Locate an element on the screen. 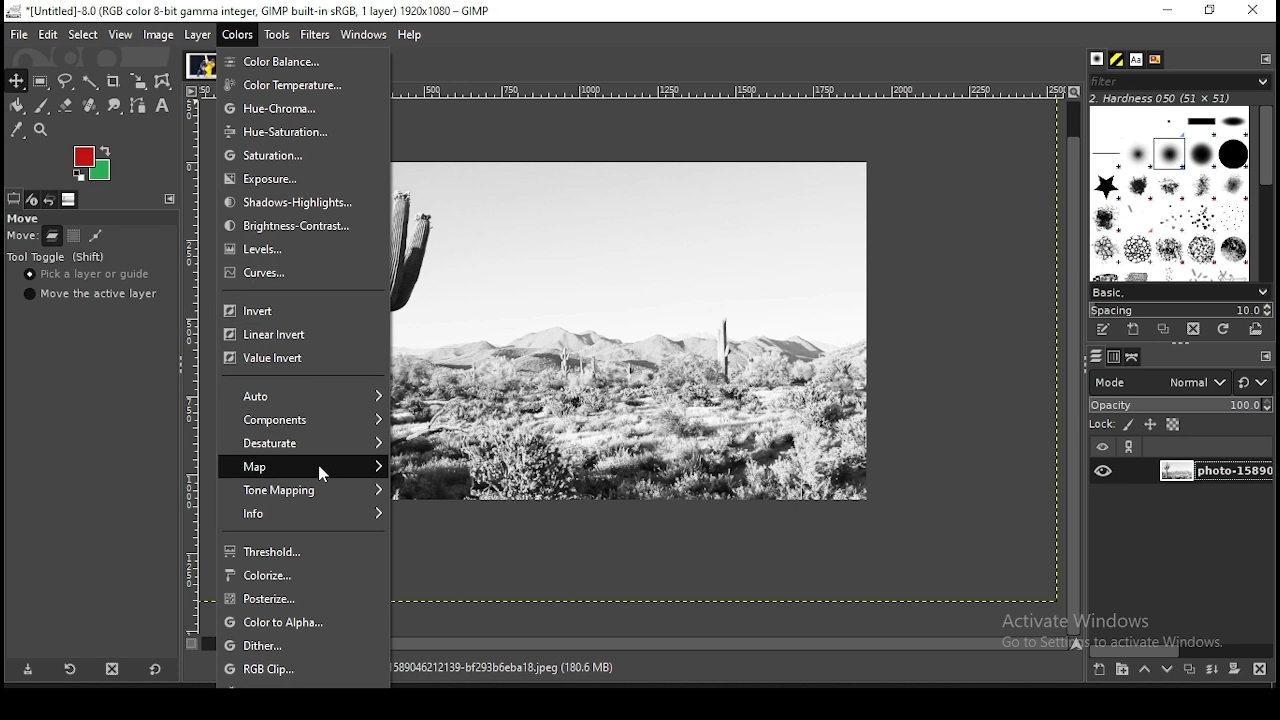  edit is located at coordinates (50, 34).